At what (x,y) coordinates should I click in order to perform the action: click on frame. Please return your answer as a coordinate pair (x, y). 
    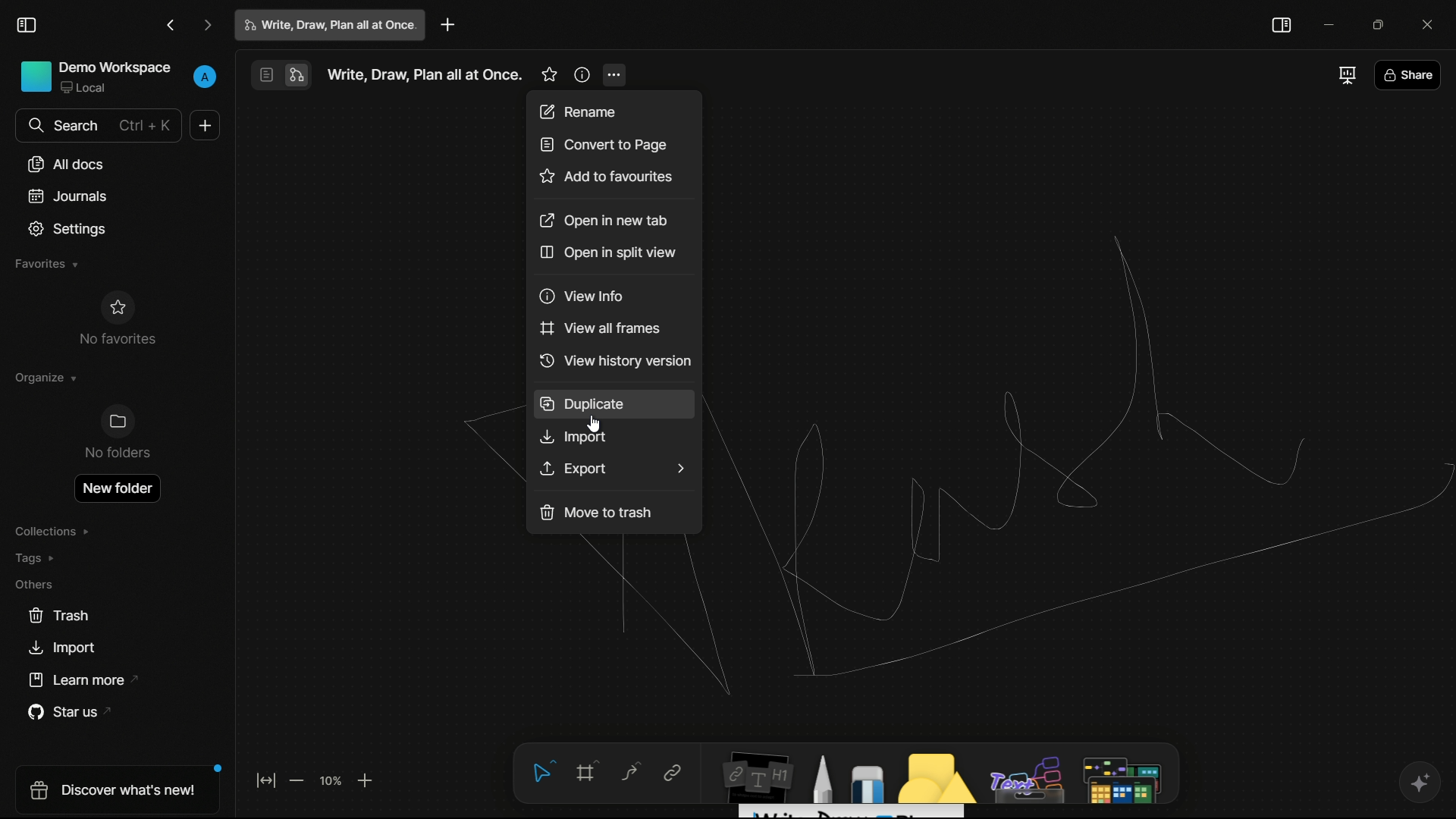
    Looking at the image, I should click on (585, 773).